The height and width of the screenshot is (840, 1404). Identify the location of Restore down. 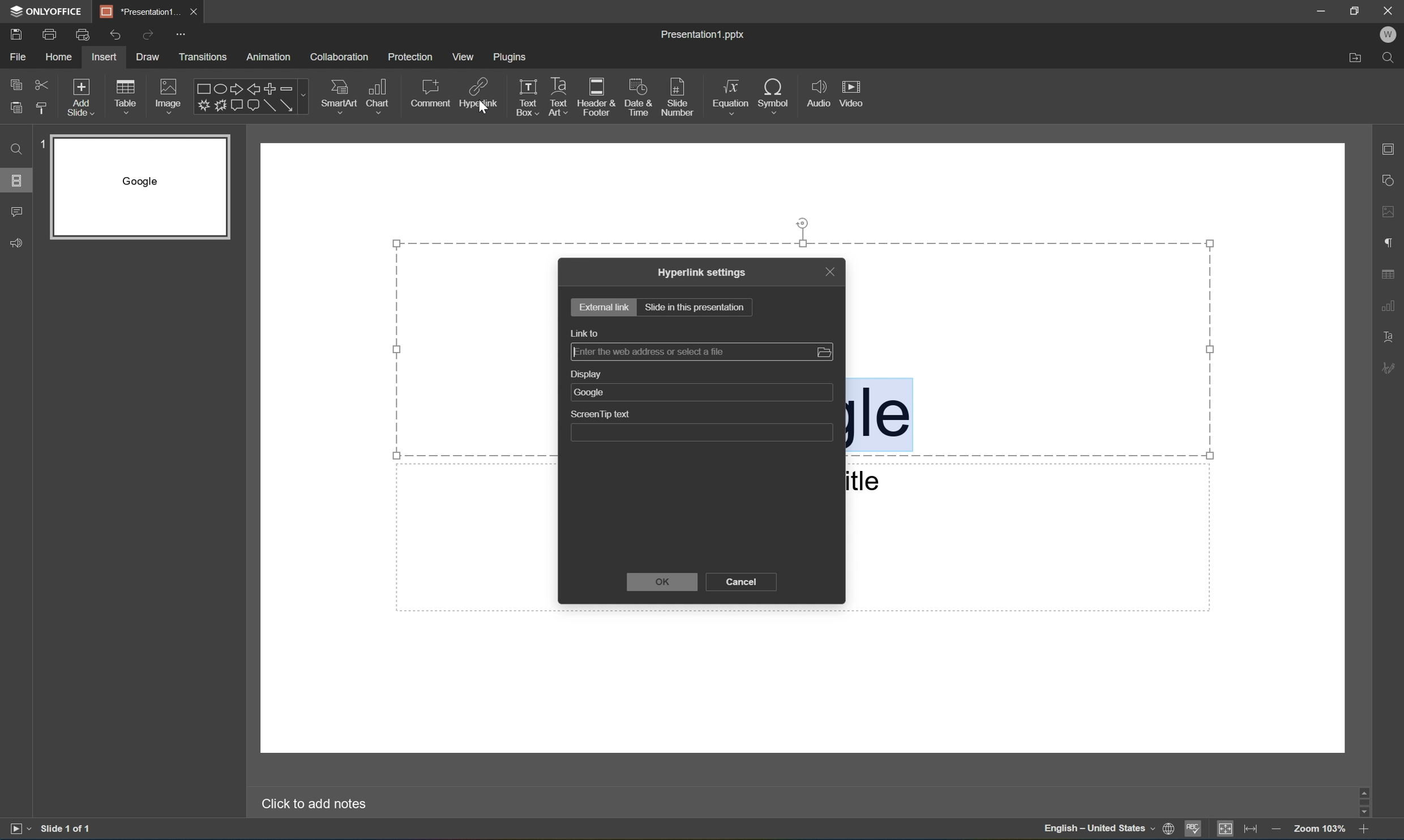
(1357, 10).